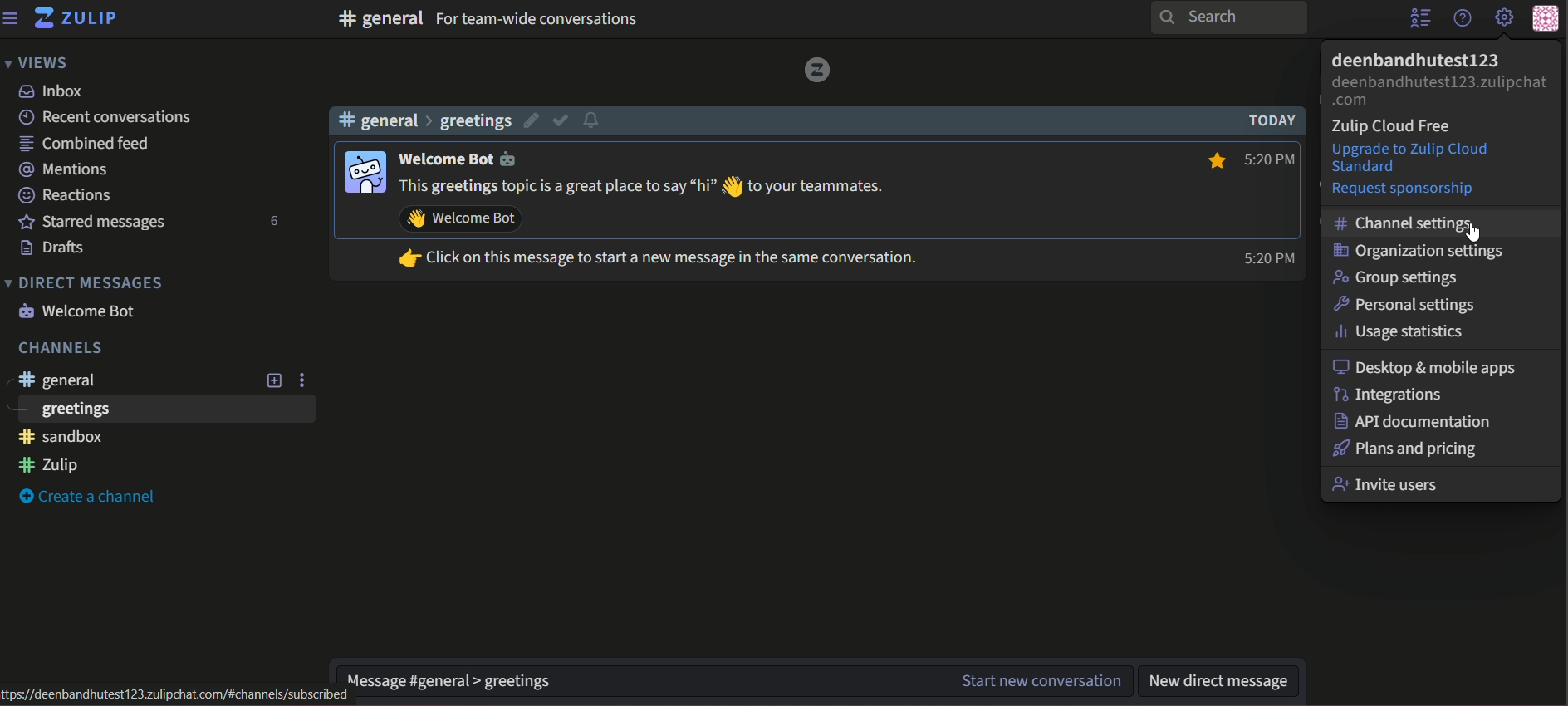 The image size is (1568, 706). Describe the element at coordinates (304, 379) in the screenshot. I see `options ` at that location.